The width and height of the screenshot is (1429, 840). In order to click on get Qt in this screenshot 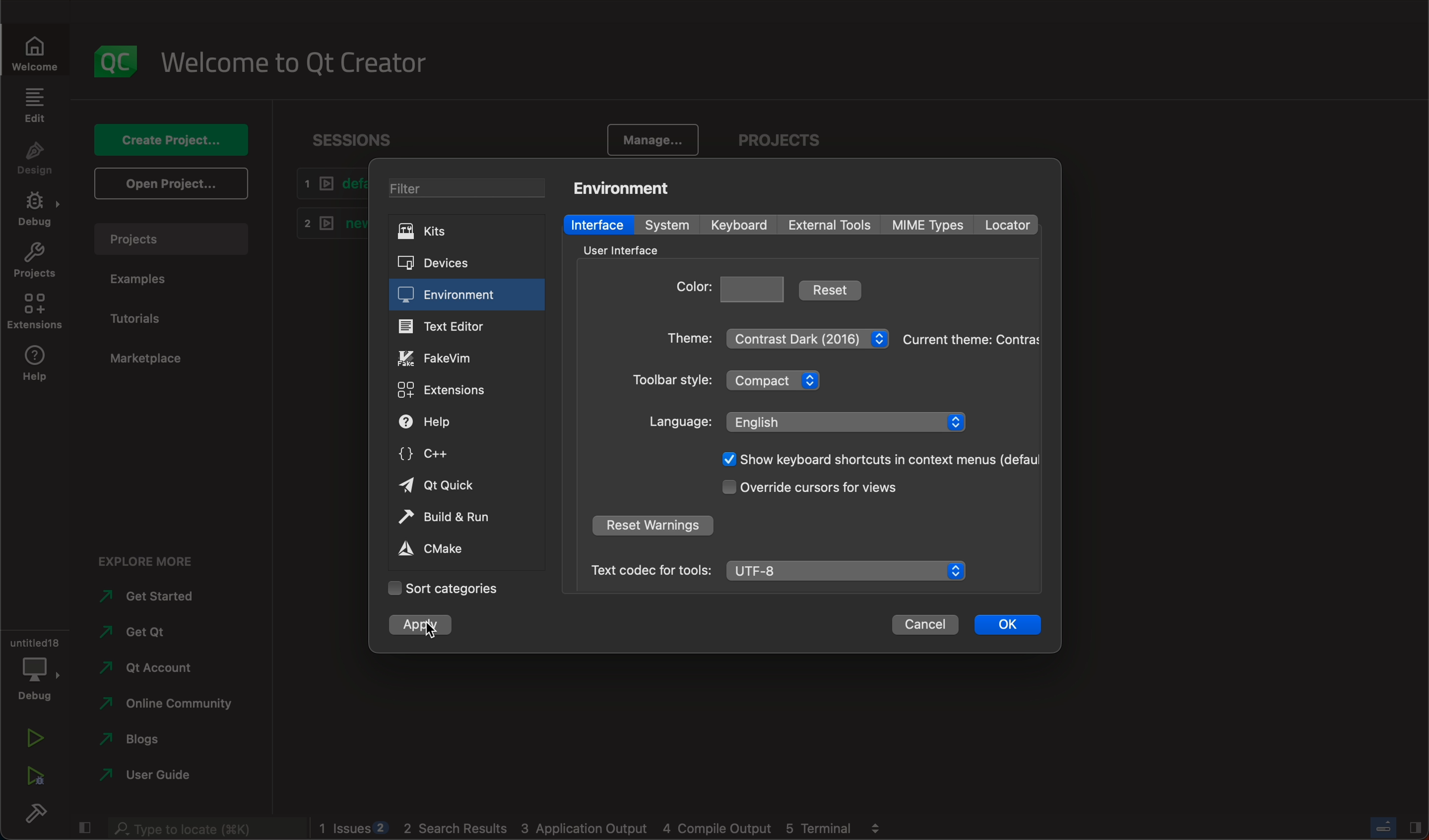, I will do `click(163, 633)`.